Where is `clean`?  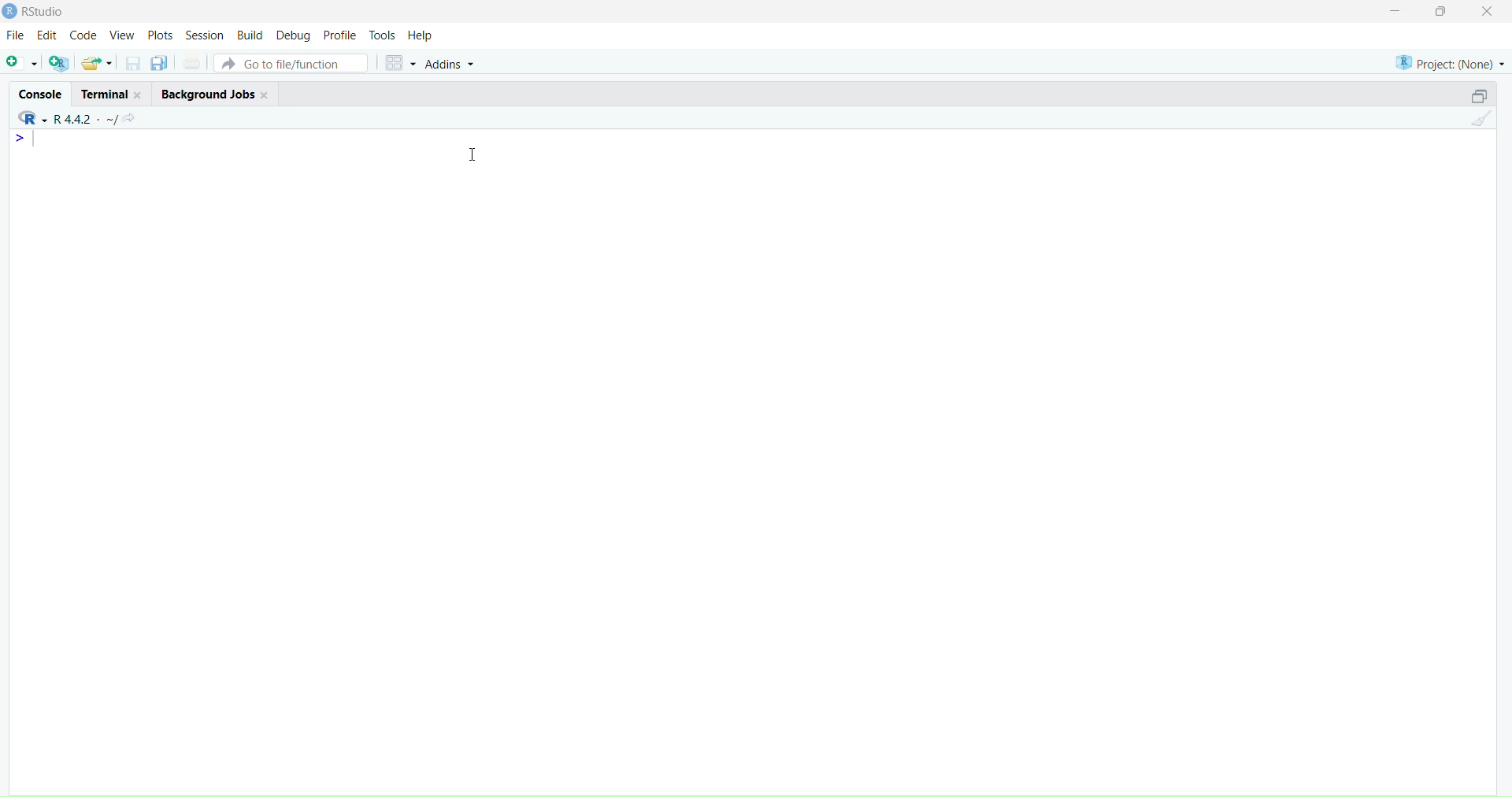
clean is located at coordinates (1482, 117).